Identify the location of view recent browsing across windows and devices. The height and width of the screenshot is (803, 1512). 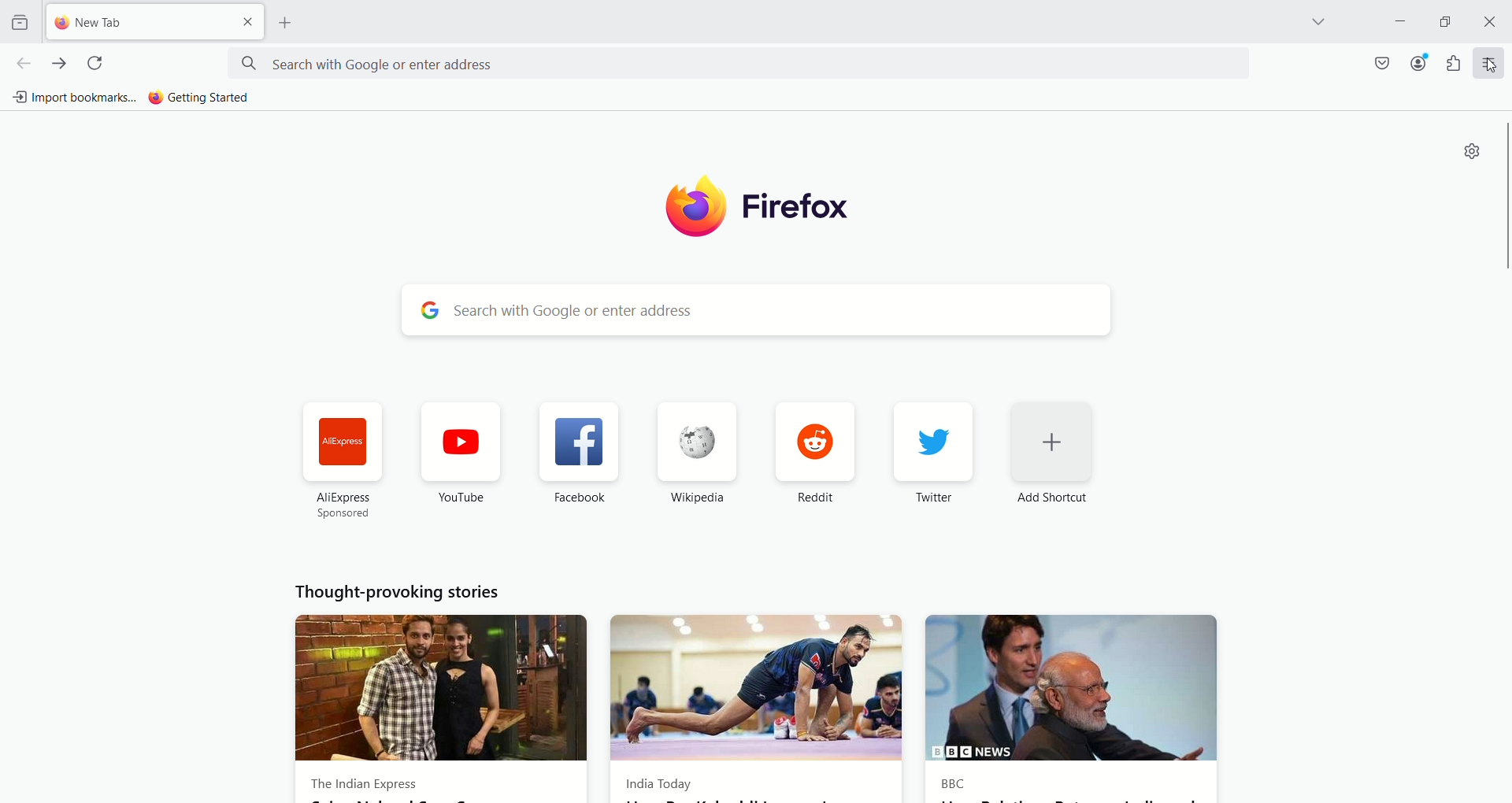
(20, 22).